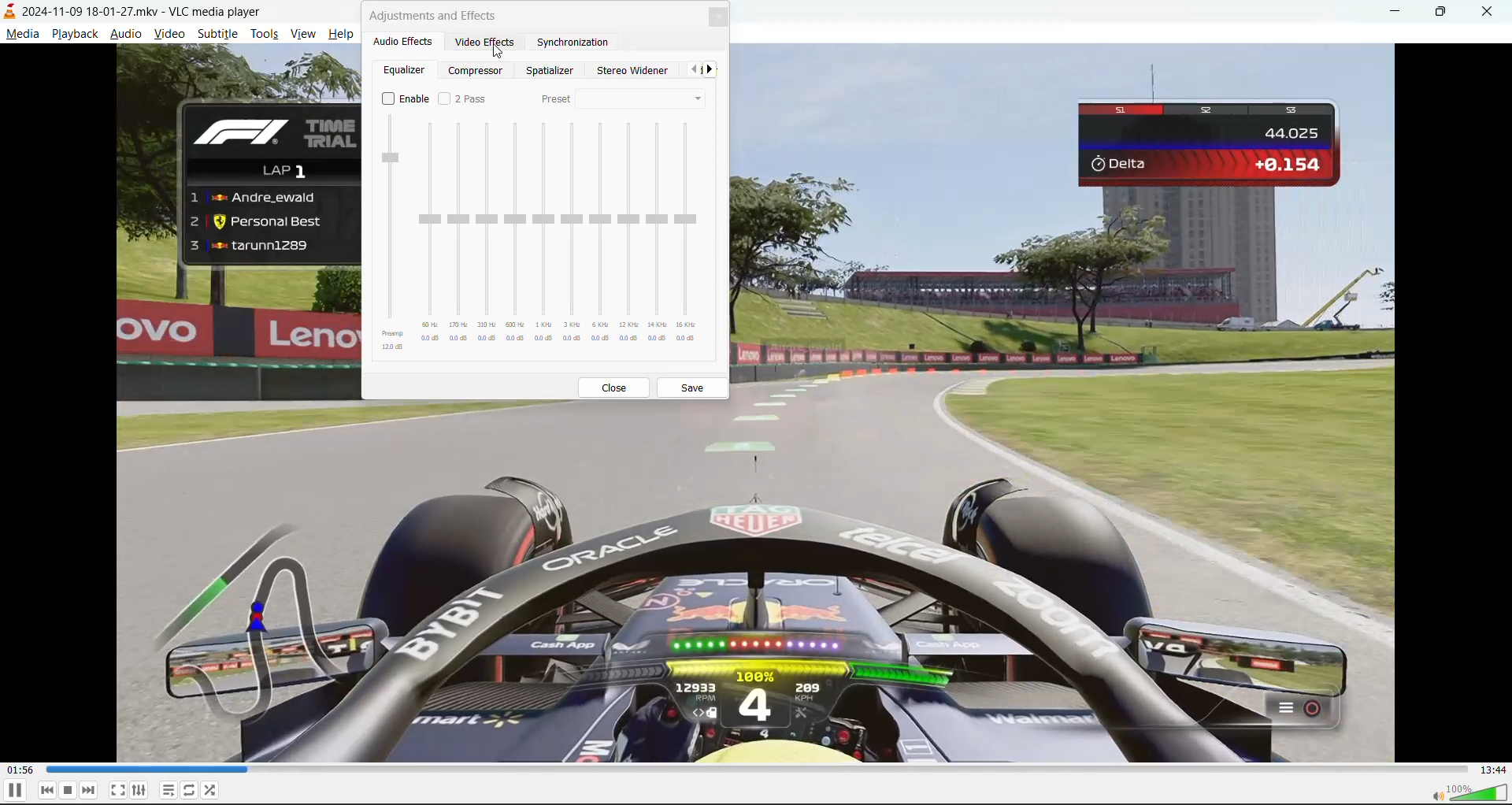 The width and height of the screenshot is (1512, 805). What do you see at coordinates (72, 32) in the screenshot?
I see `playback` at bounding box center [72, 32].